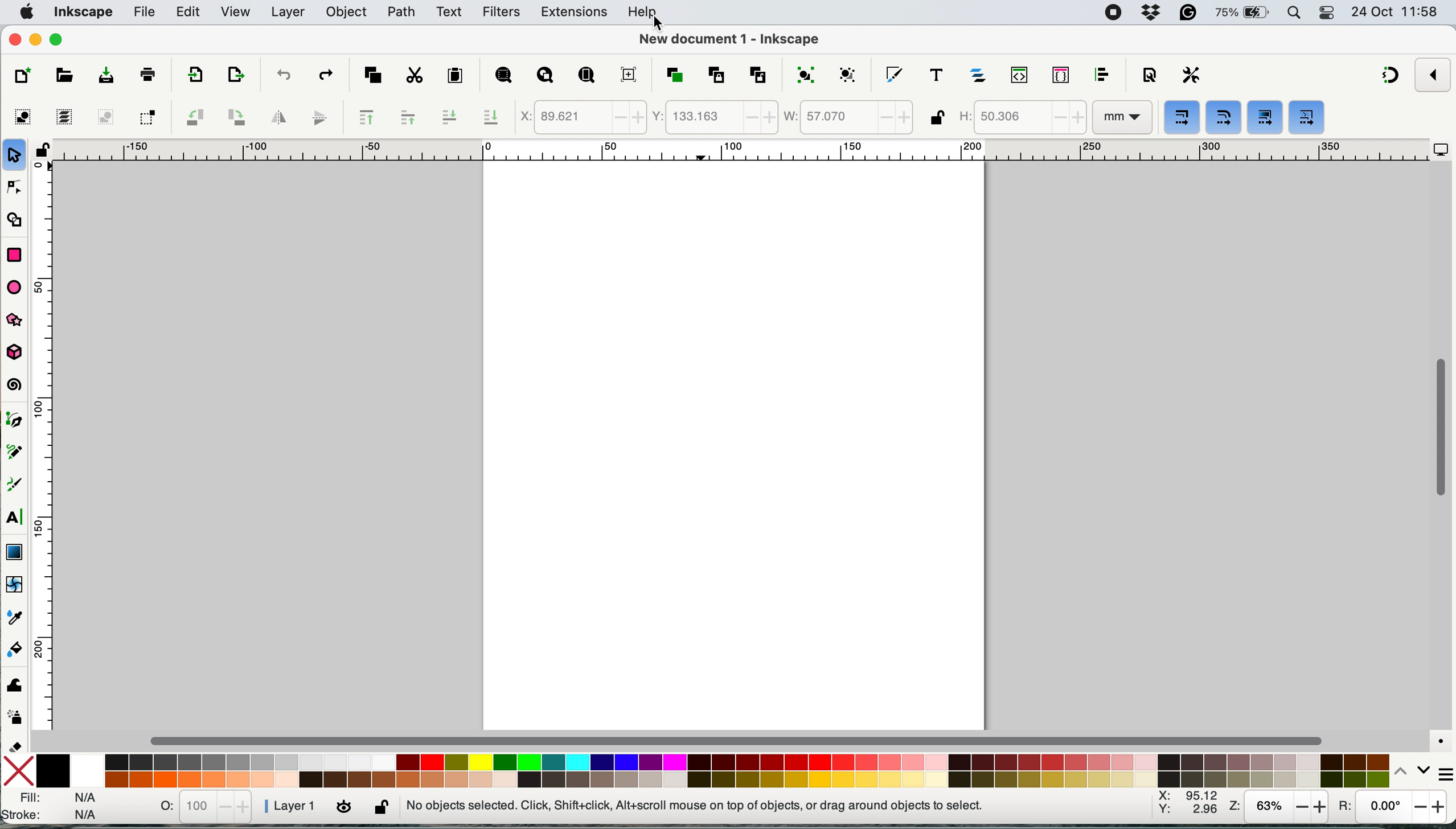  What do you see at coordinates (973, 76) in the screenshot?
I see `layers and objects` at bounding box center [973, 76].